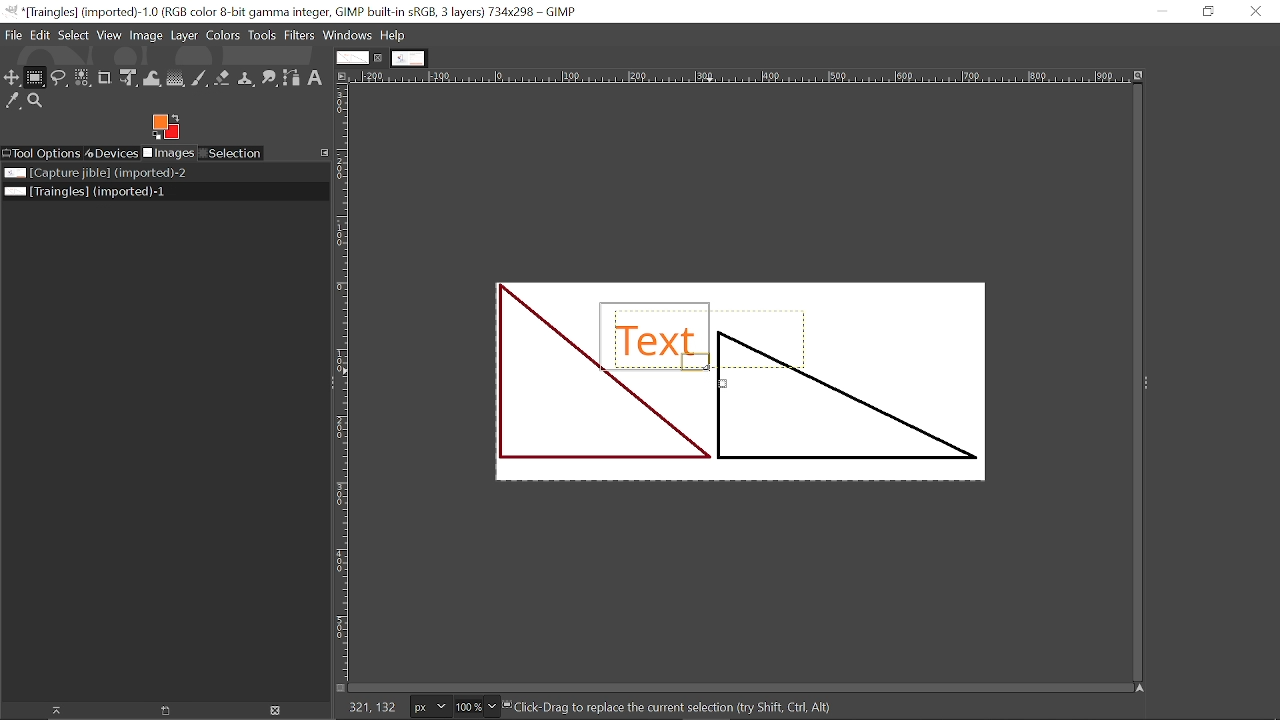 The height and width of the screenshot is (720, 1280). Describe the element at coordinates (223, 80) in the screenshot. I see `eraser tool` at that location.